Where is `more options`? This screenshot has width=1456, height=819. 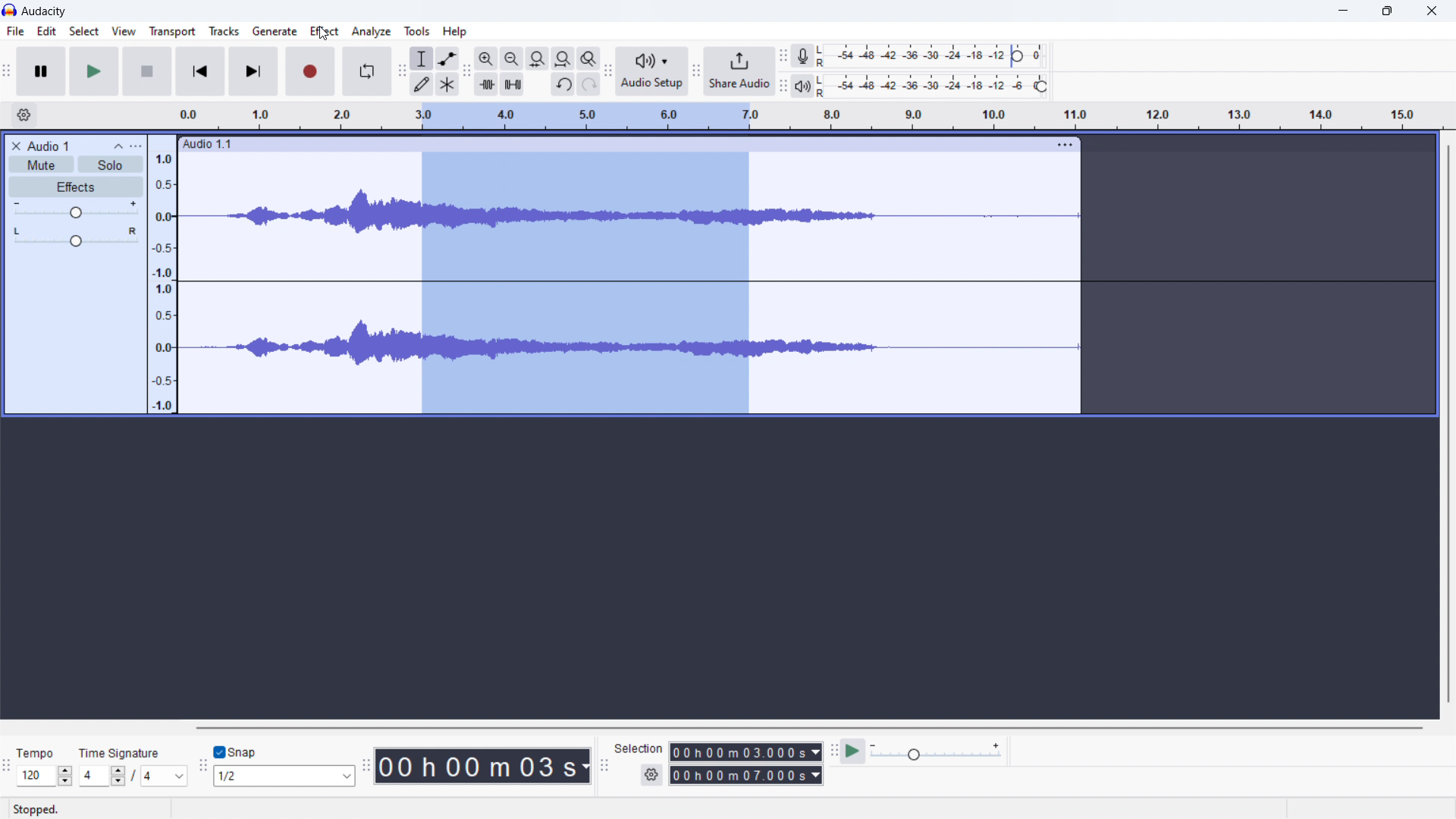 more options is located at coordinates (1066, 146).